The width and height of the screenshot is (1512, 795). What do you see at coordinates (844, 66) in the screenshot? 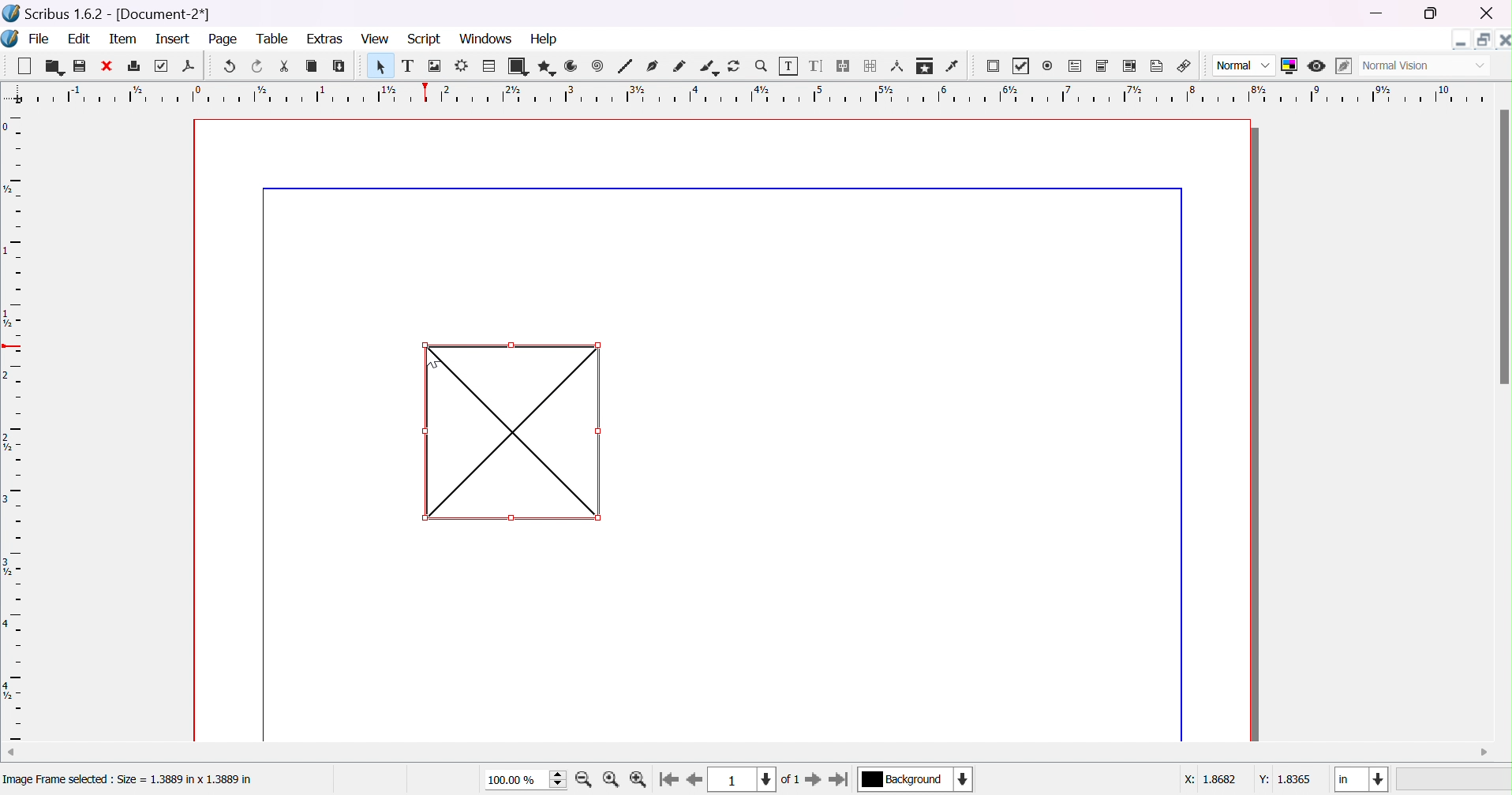
I see `link text frames` at bounding box center [844, 66].